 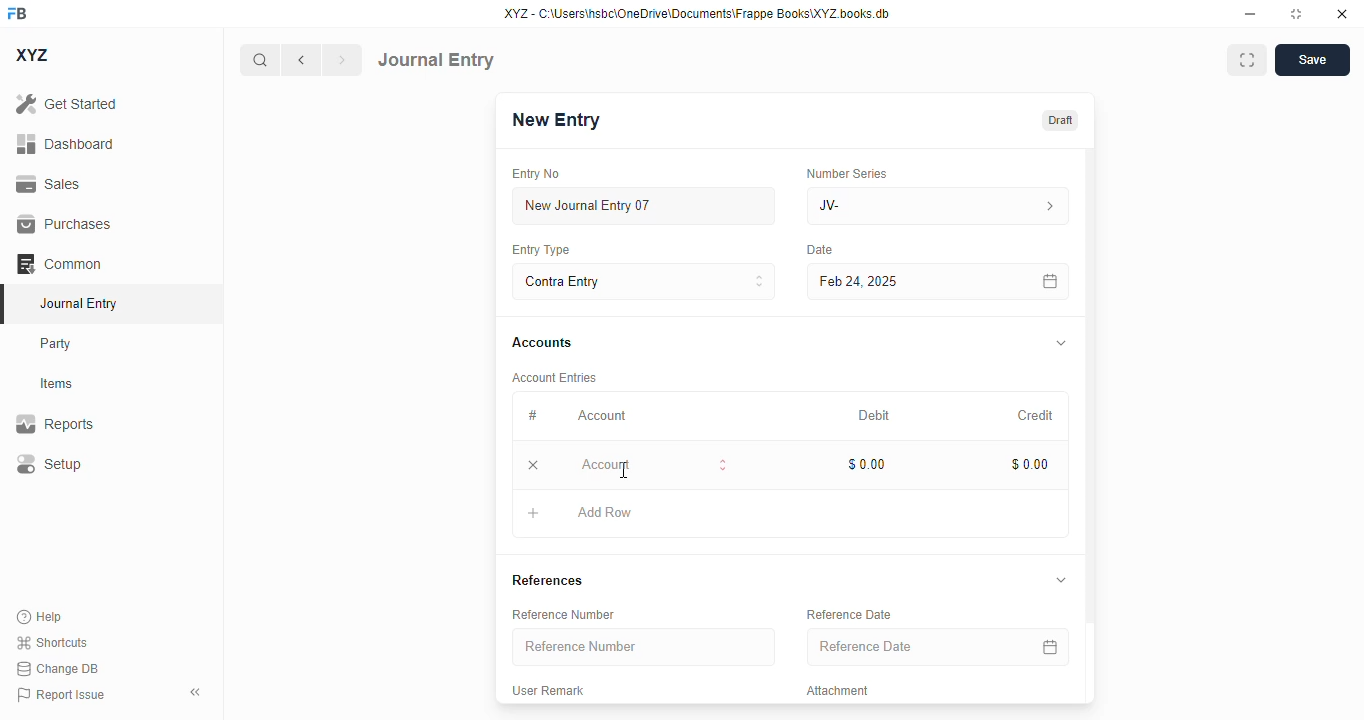 What do you see at coordinates (849, 173) in the screenshot?
I see `number series` at bounding box center [849, 173].